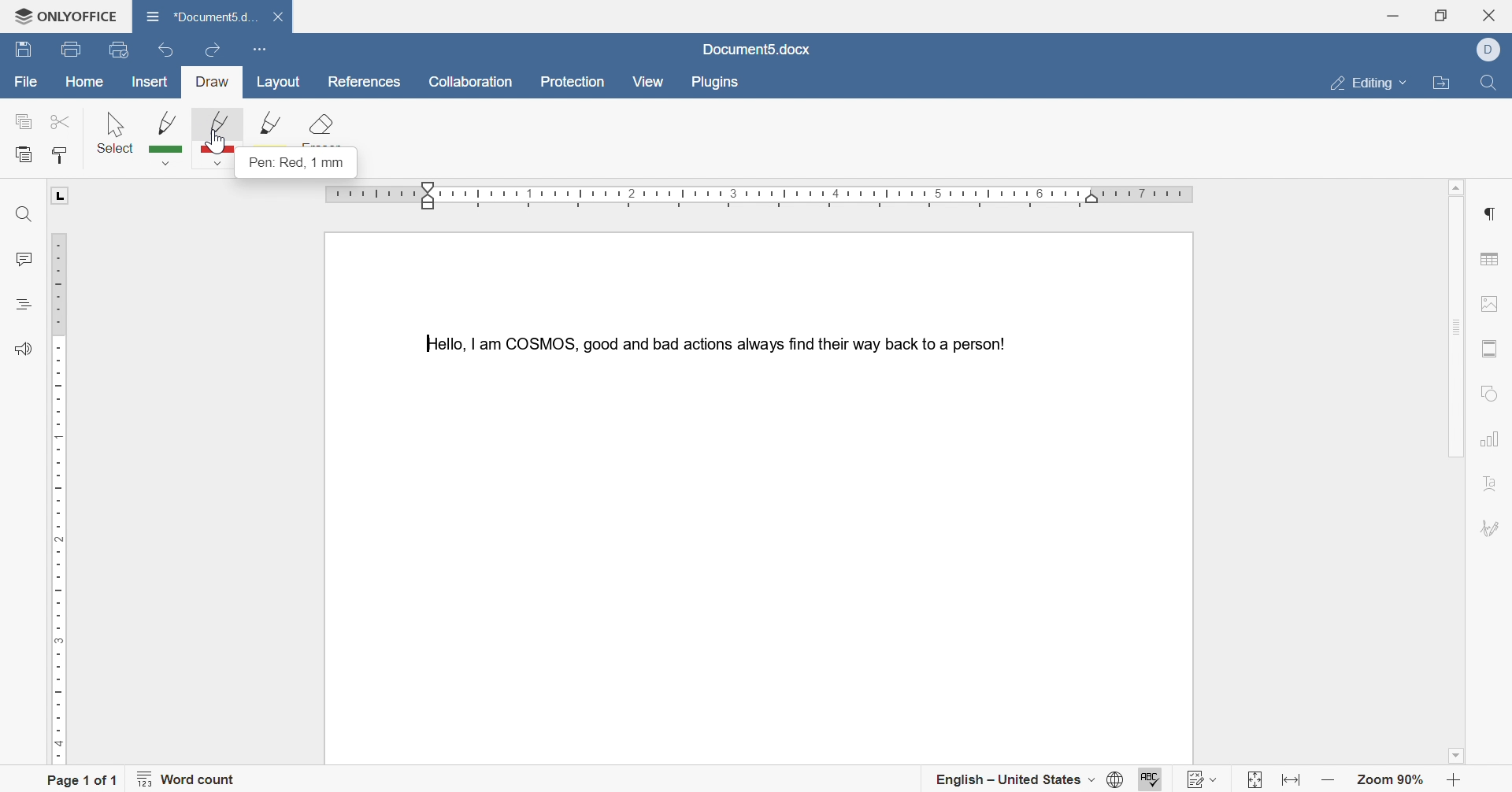 This screenshot has width=1512, height=792. What do you see at coordinates (647, 81) in the screenshot?
I see `view` at bounding box center [647, 81].